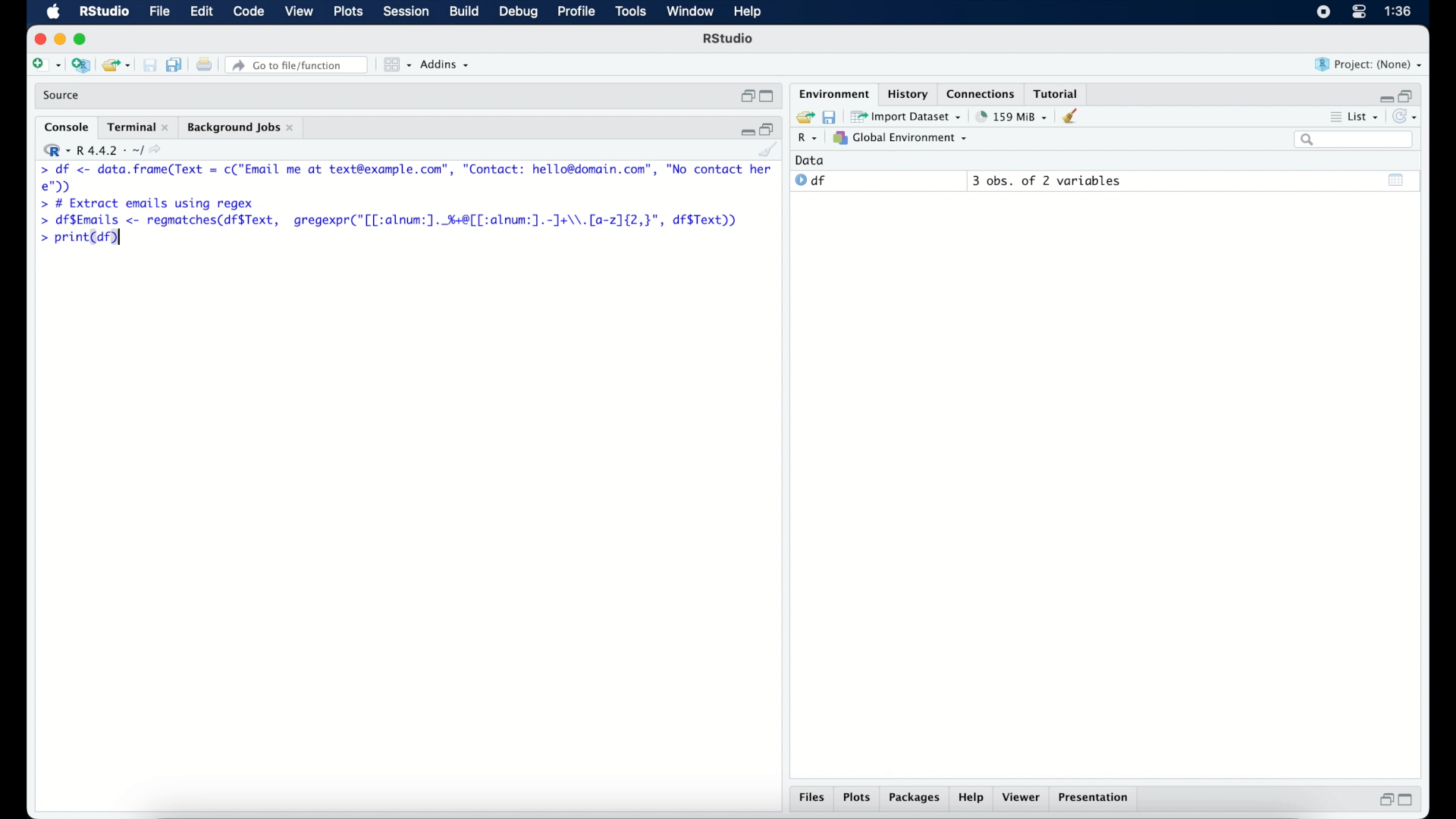 The image size is (1456, 819). Describe the element at coordinates (1096, 799) in the screenshot. I see `presentation` at that location.